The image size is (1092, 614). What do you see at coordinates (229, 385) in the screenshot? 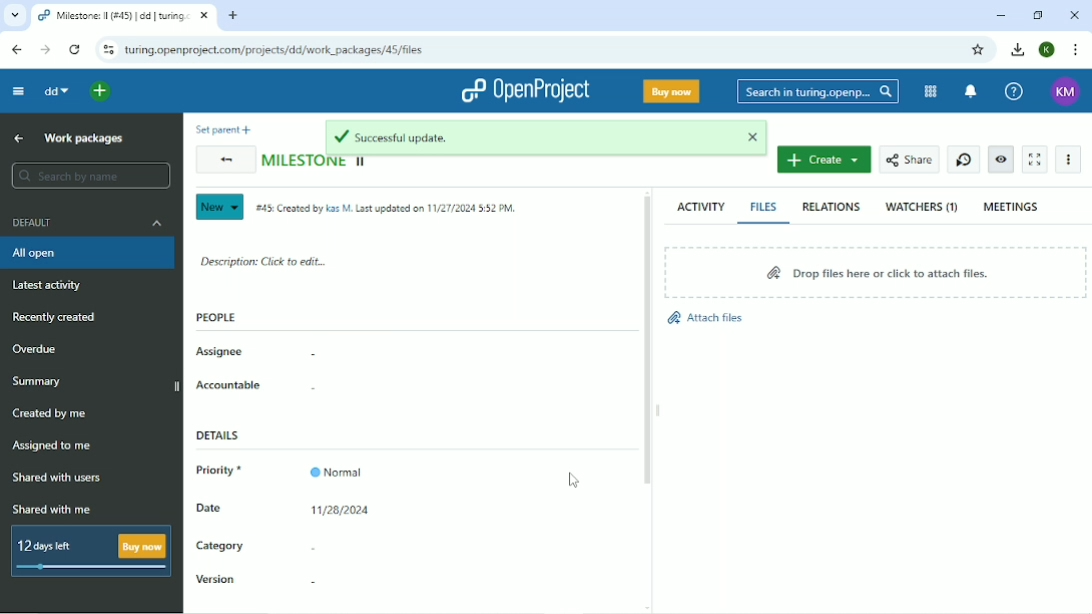
I see `Accountable` at bounding box center [229, 385].